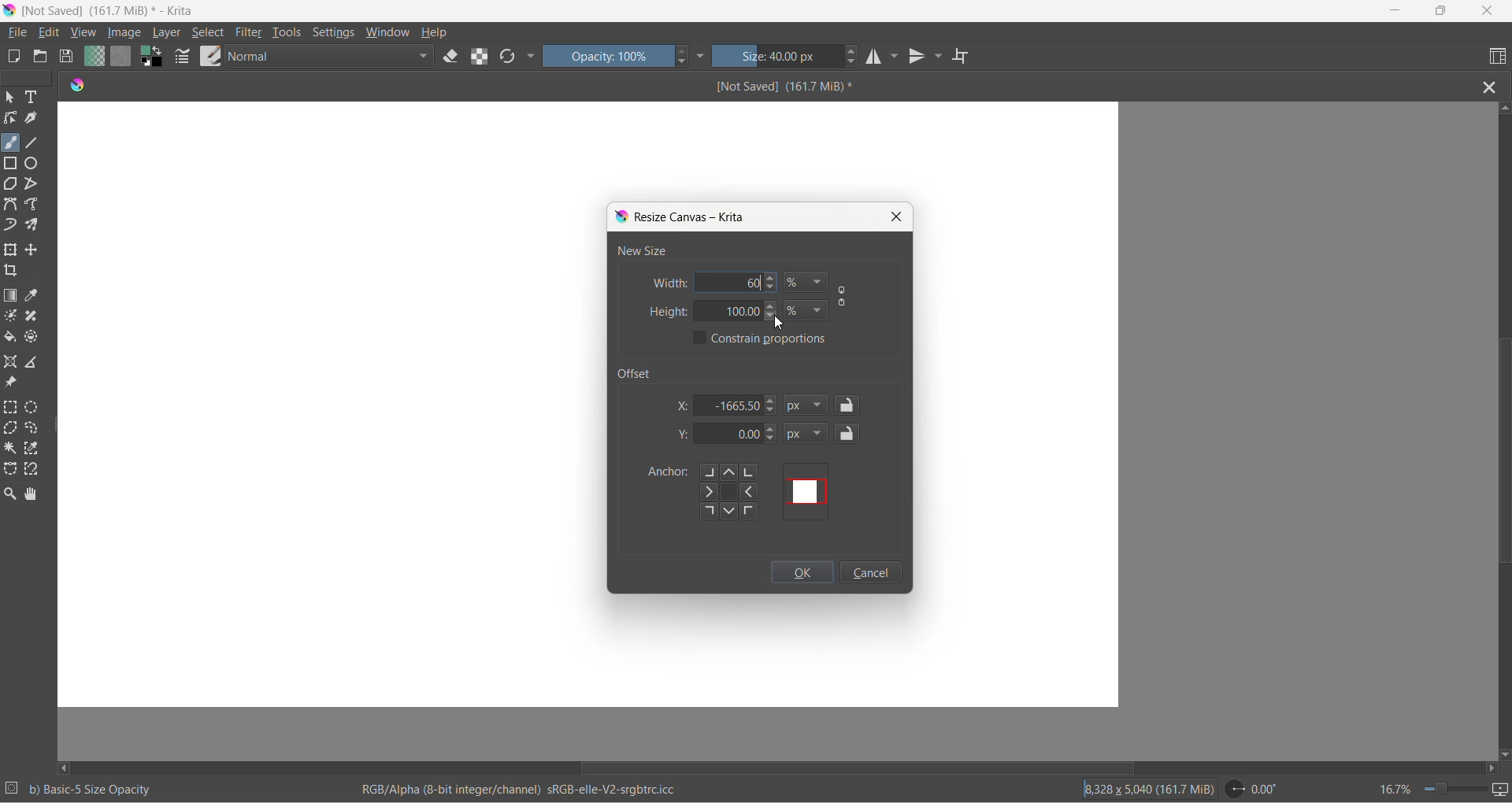 The height and width of the screenshot is (803, 1512). Describe the element at coordinates (32, 162) in the screenshot. I see `ellipse tool` at that location.